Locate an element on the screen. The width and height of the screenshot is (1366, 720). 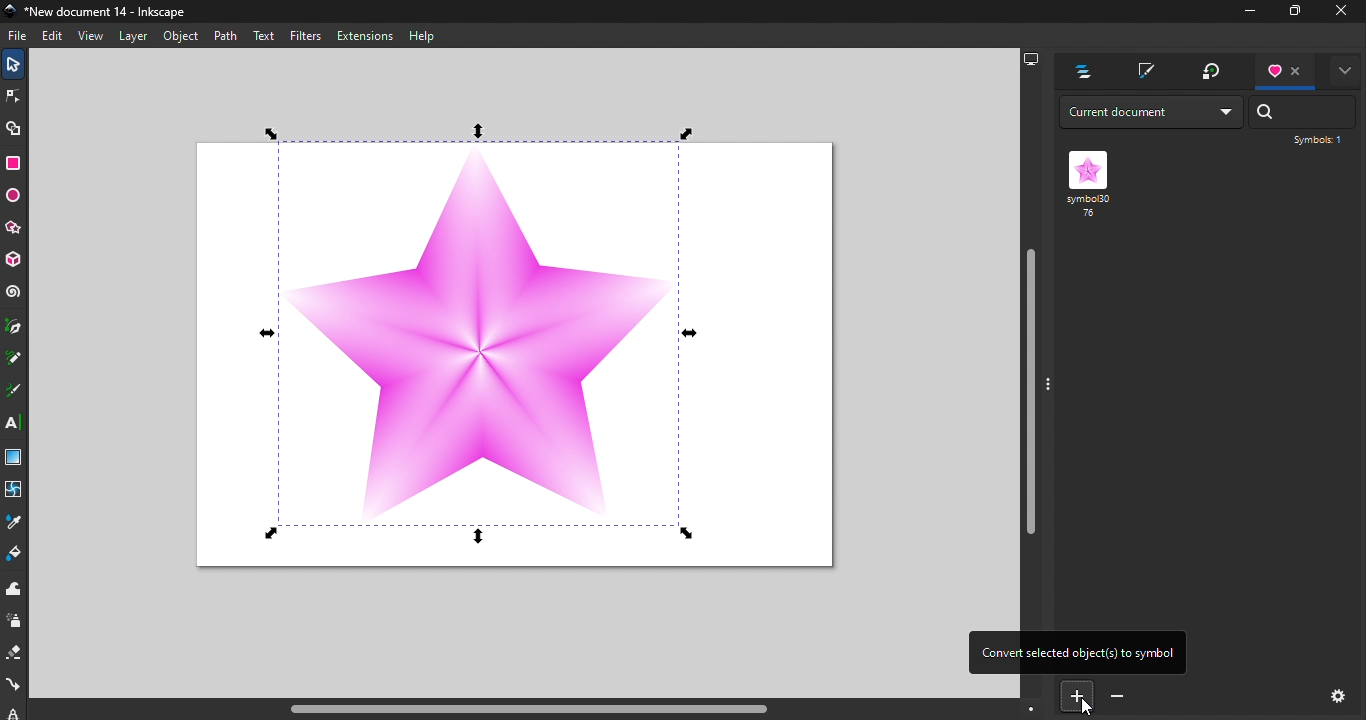
Transform is located at coordinates (1211, 69).